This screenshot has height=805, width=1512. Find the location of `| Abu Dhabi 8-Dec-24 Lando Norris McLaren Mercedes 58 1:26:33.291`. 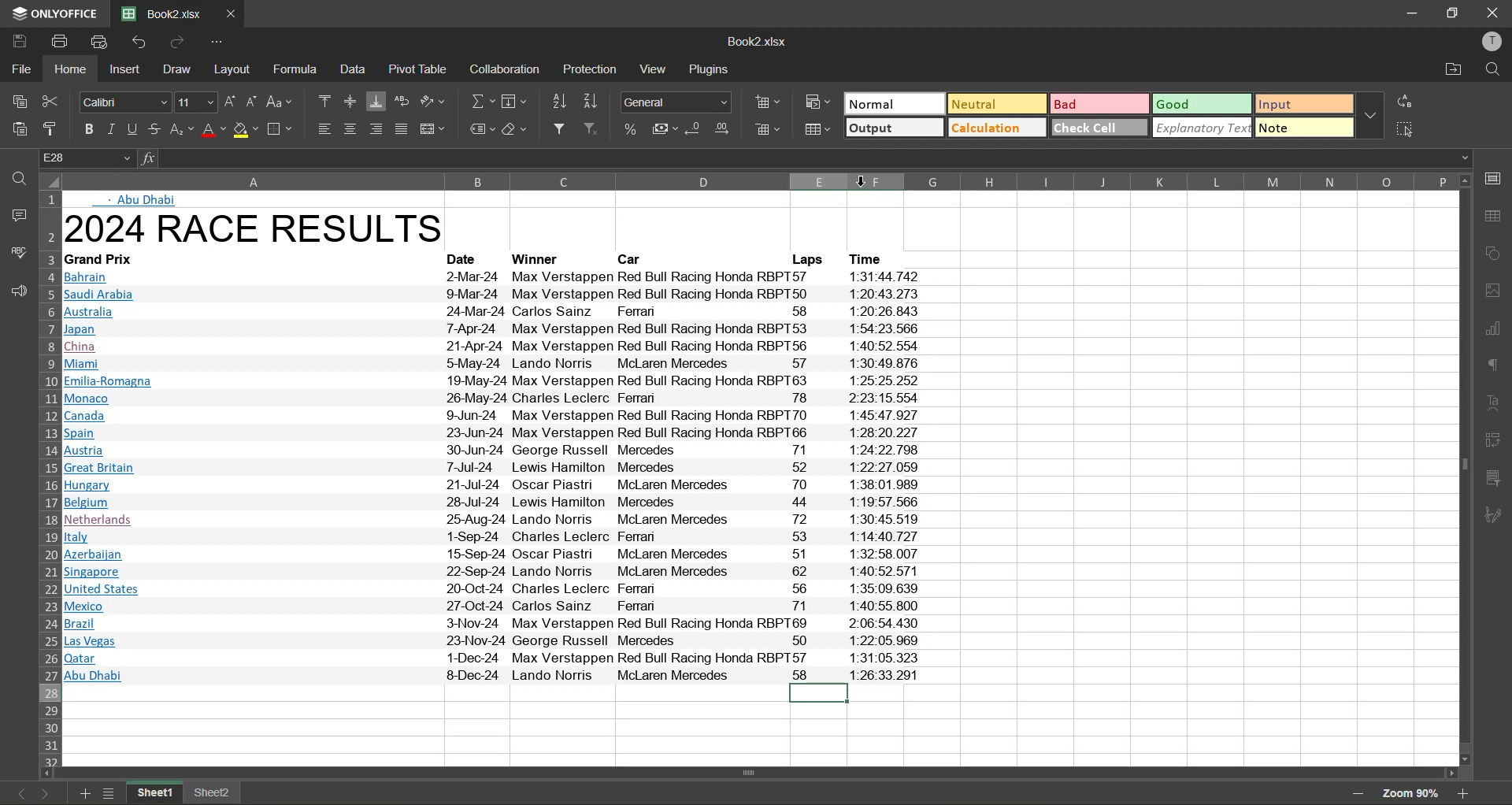

| Abu Dhabi 8-Dec-24 Lando Norris McLaren Mercedes 58 1:26:33.291 is located at coordinates (497, 675).